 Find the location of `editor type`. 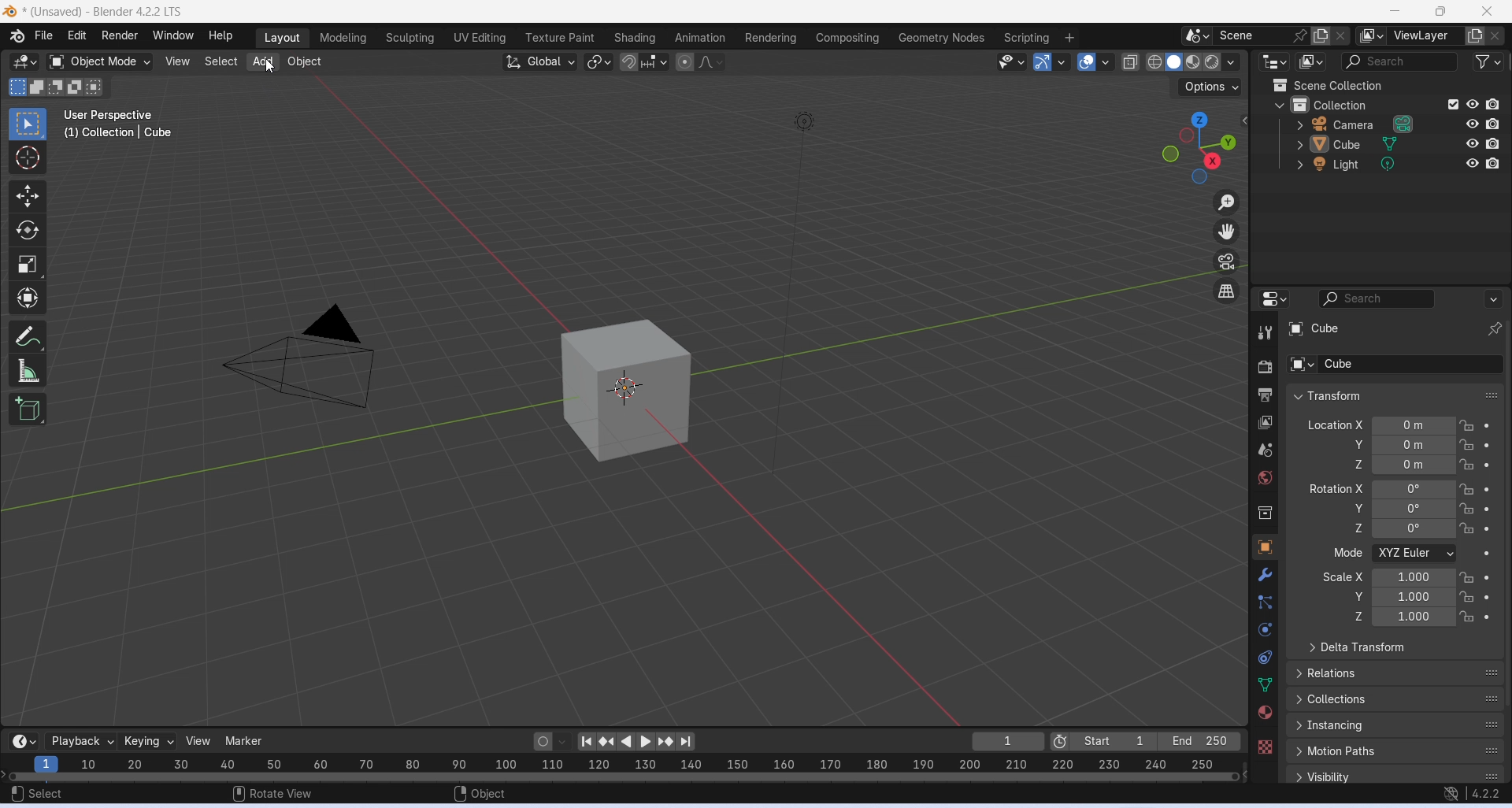

editor type is located at coordinates (1274, 297).